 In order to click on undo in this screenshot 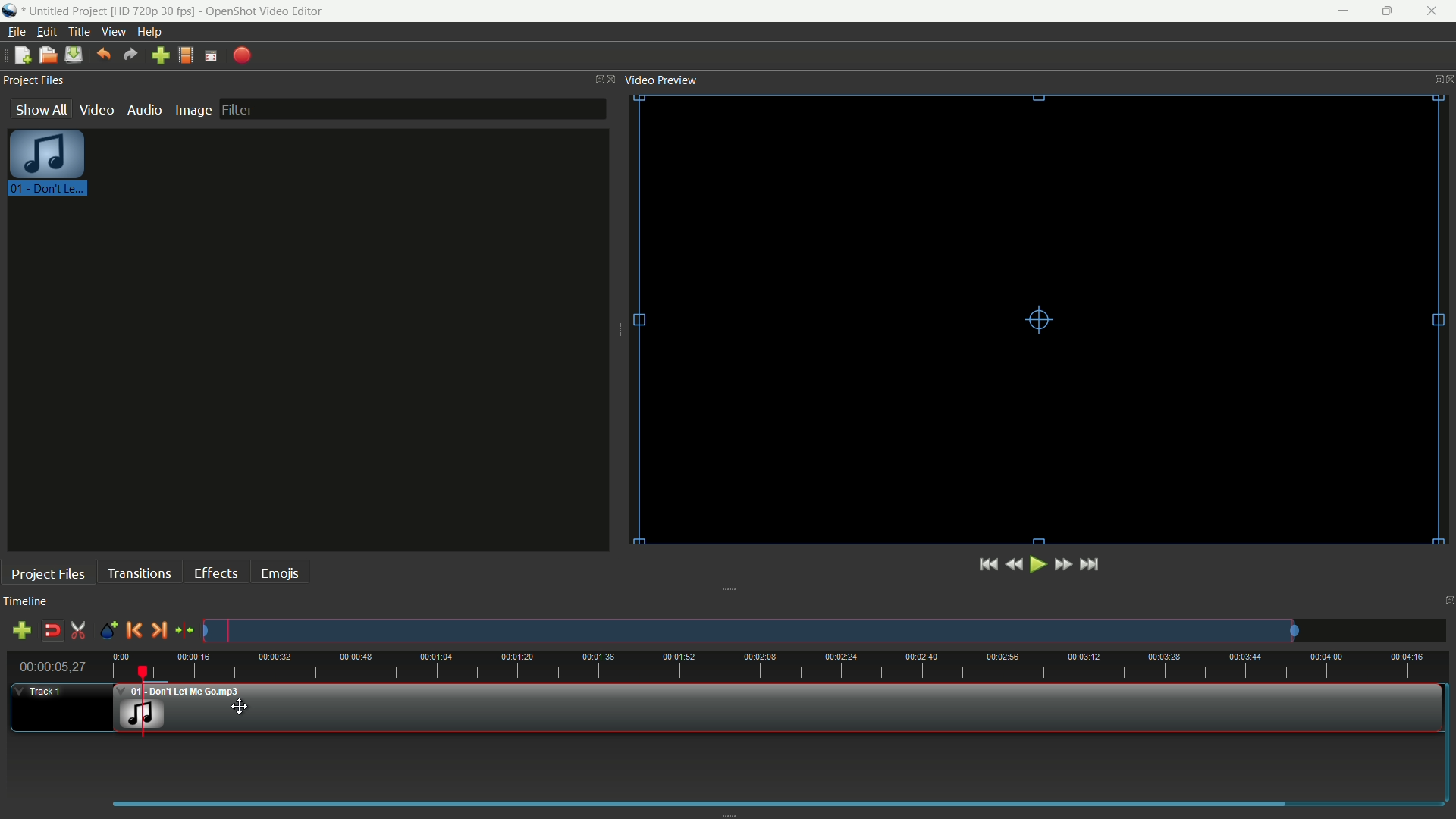, I will do `click(105, 55)`.